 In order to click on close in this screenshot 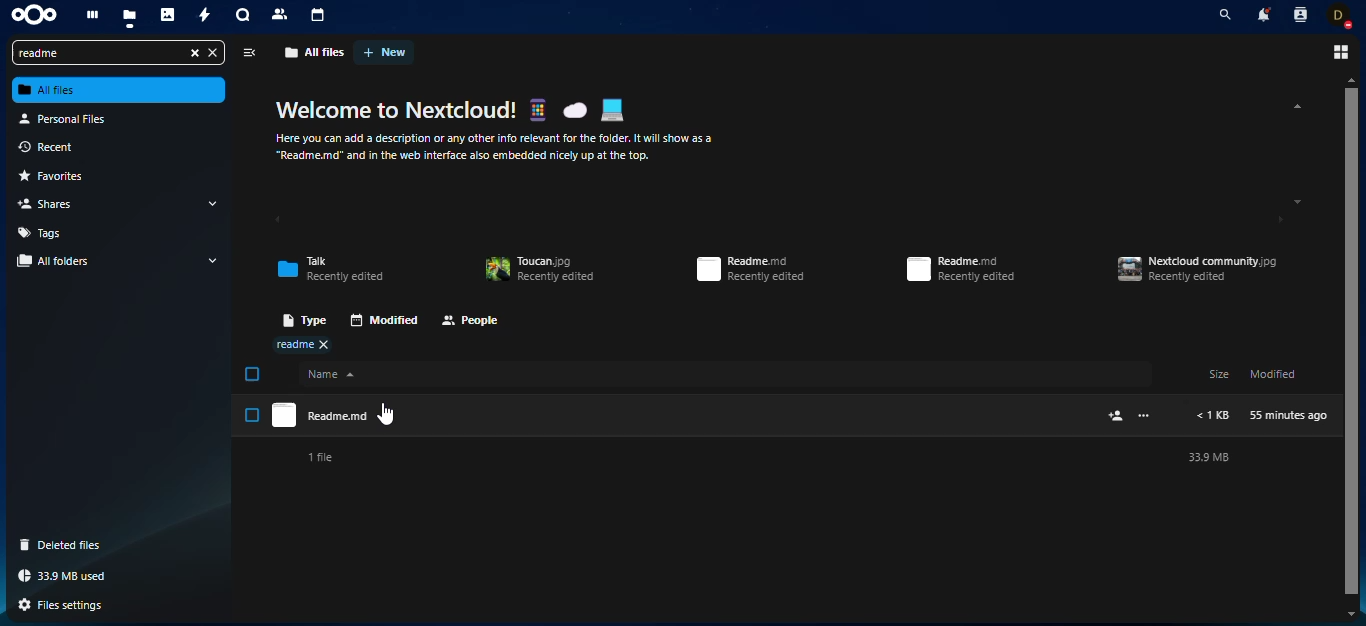, I will do `click(192, 53)`.